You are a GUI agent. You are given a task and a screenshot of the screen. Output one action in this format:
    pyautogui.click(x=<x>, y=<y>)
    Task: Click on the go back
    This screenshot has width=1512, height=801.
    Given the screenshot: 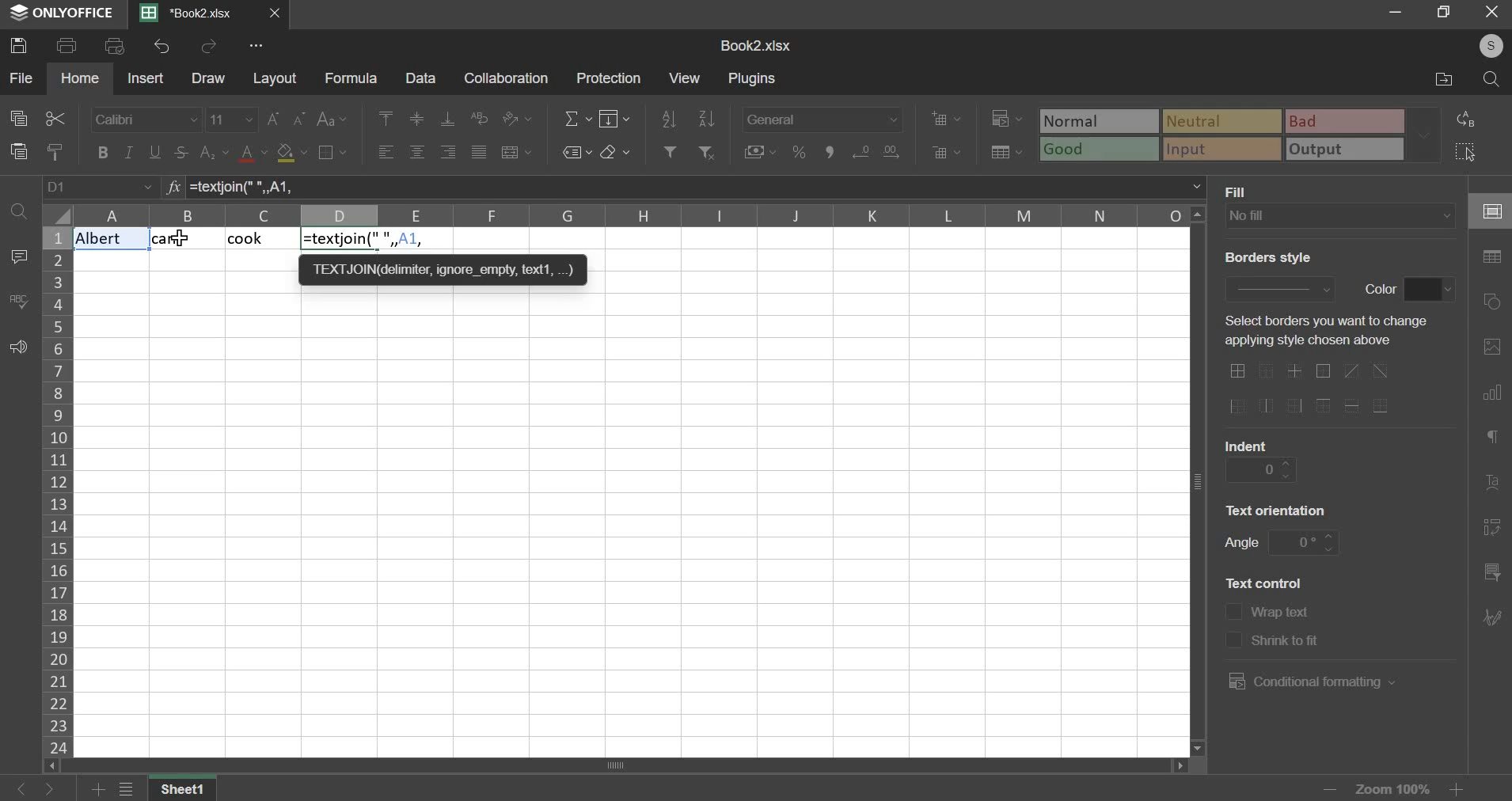 What is the action you would take?
    pyautogui.click(x=20, y=788)
    